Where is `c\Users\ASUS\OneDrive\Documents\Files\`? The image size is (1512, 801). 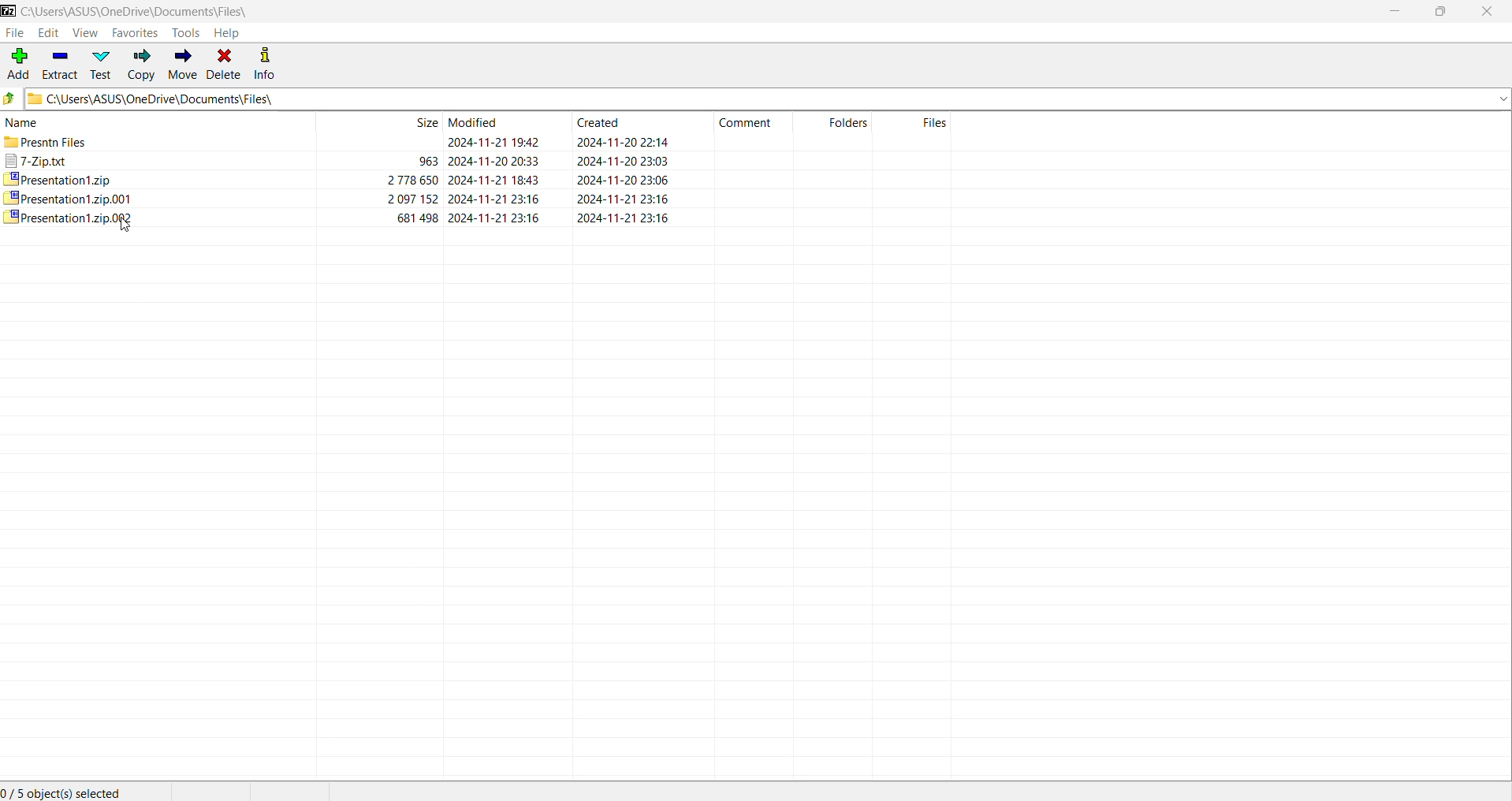 c\Users\ASUS\OneDrive\Documents\Files\ is located at coordinates (769, 99).